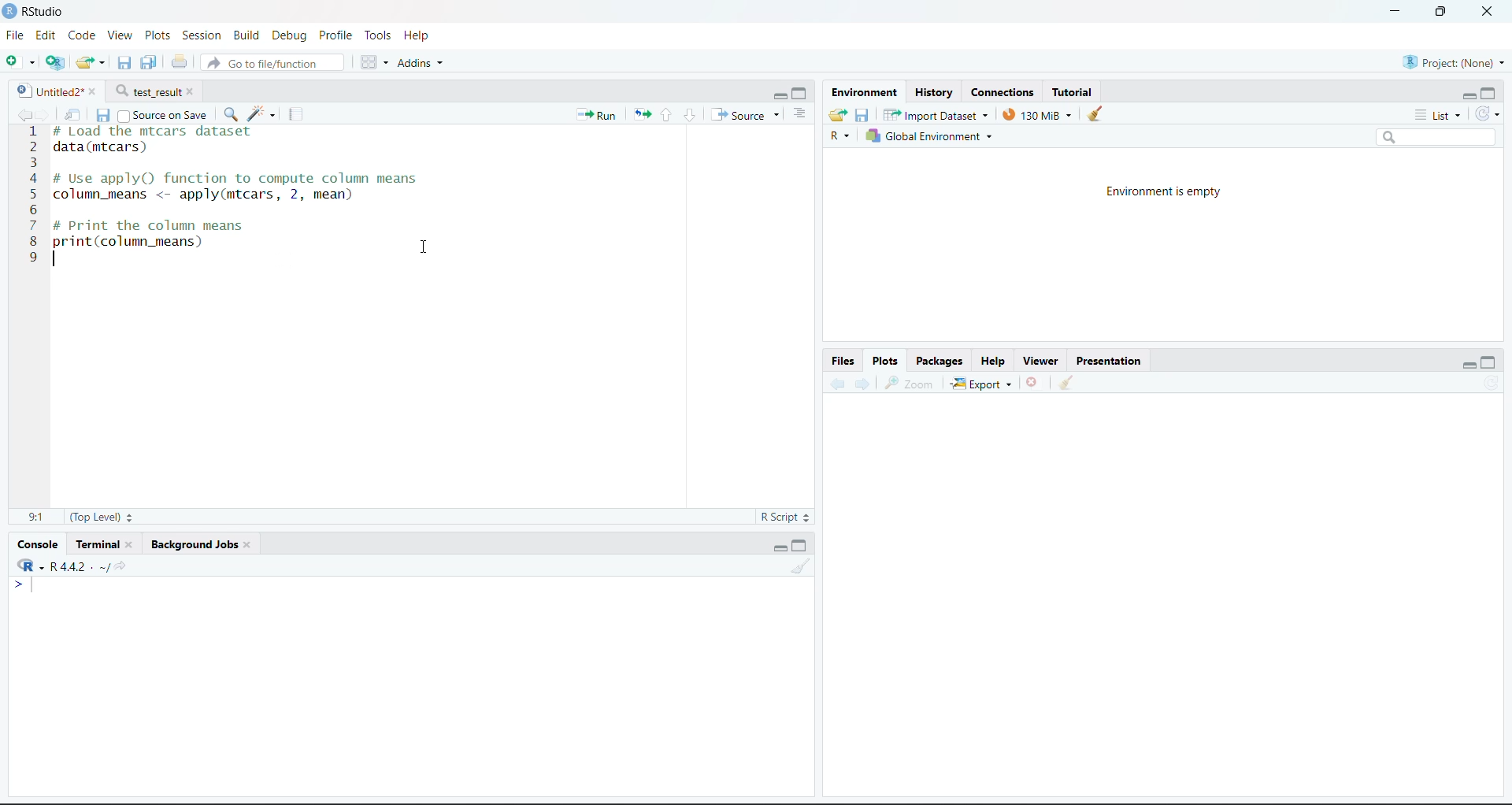  Describe the element at coordinates (839, 383) in the screenshot. I see `Go back to the previous source location (Ctrl + F9)` at that location.